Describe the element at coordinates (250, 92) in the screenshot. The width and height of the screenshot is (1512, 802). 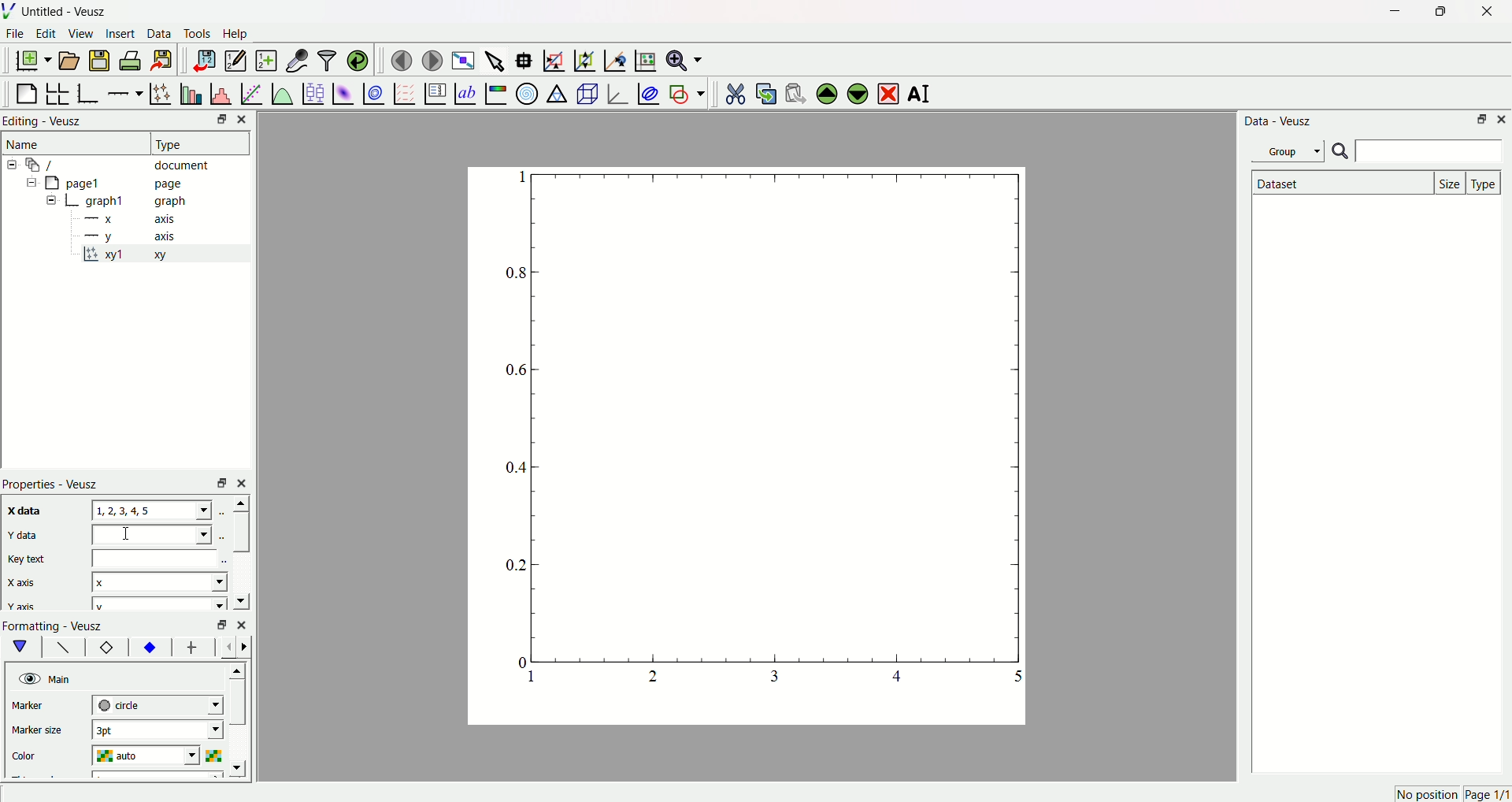
I see `fit a function` at that location.